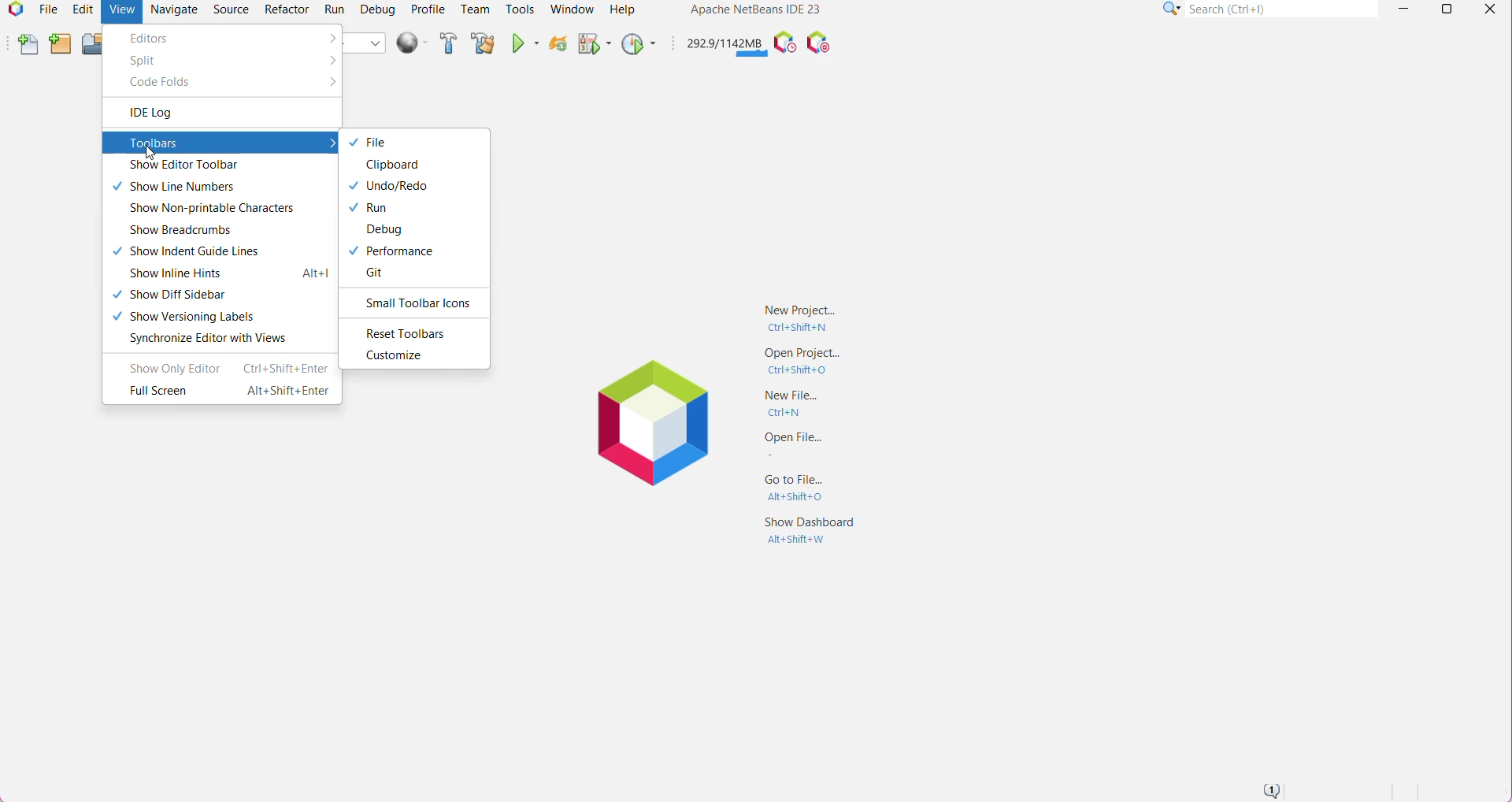 This screenshot has height=802, width=1512. I want to click on Debug, so click(374, 230).